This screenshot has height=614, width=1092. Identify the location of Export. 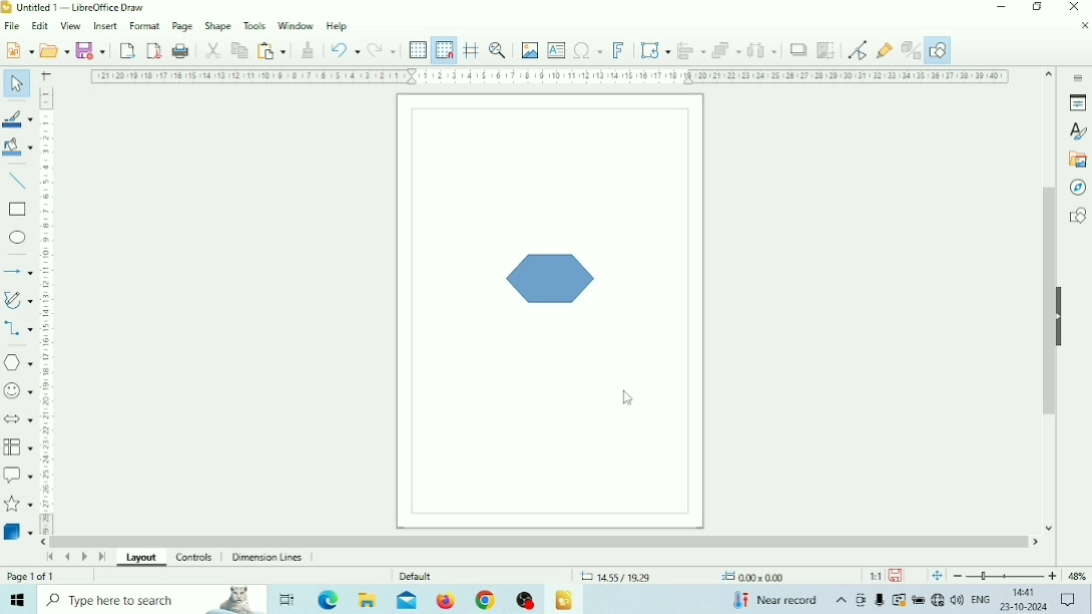
(127, 50).